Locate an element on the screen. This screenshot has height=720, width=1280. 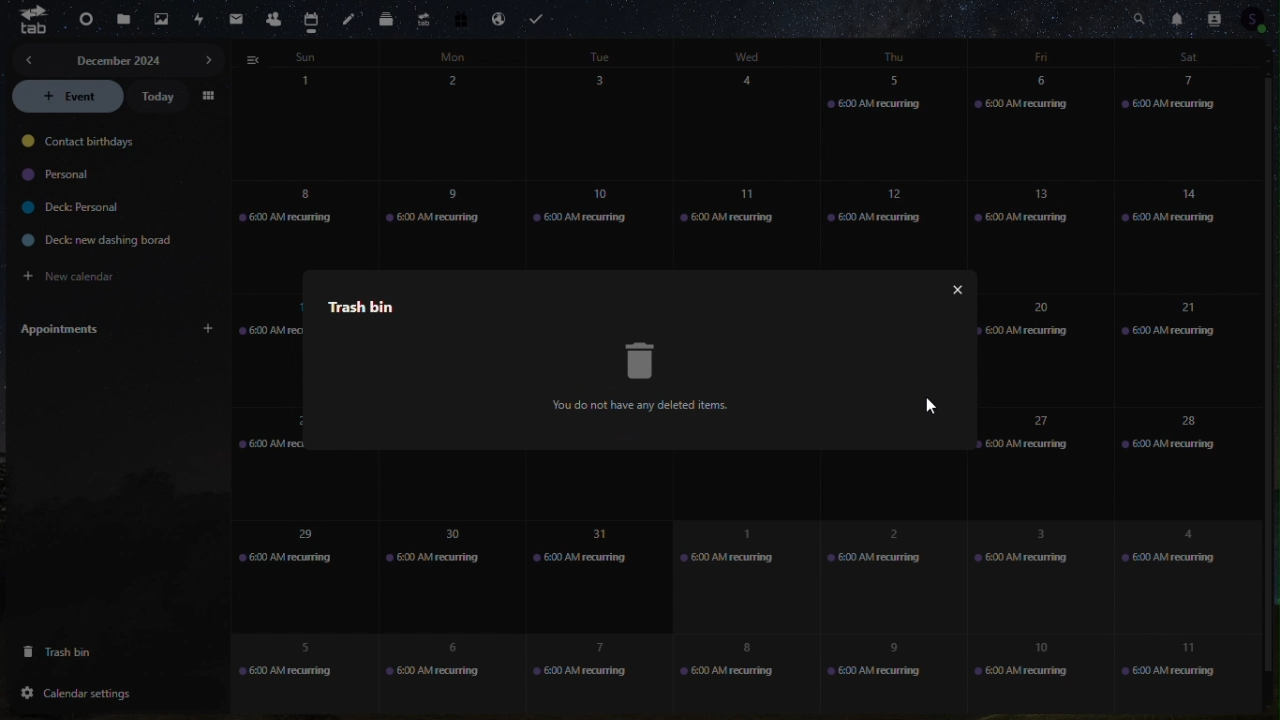
more options is located at coordinates (933, 353).